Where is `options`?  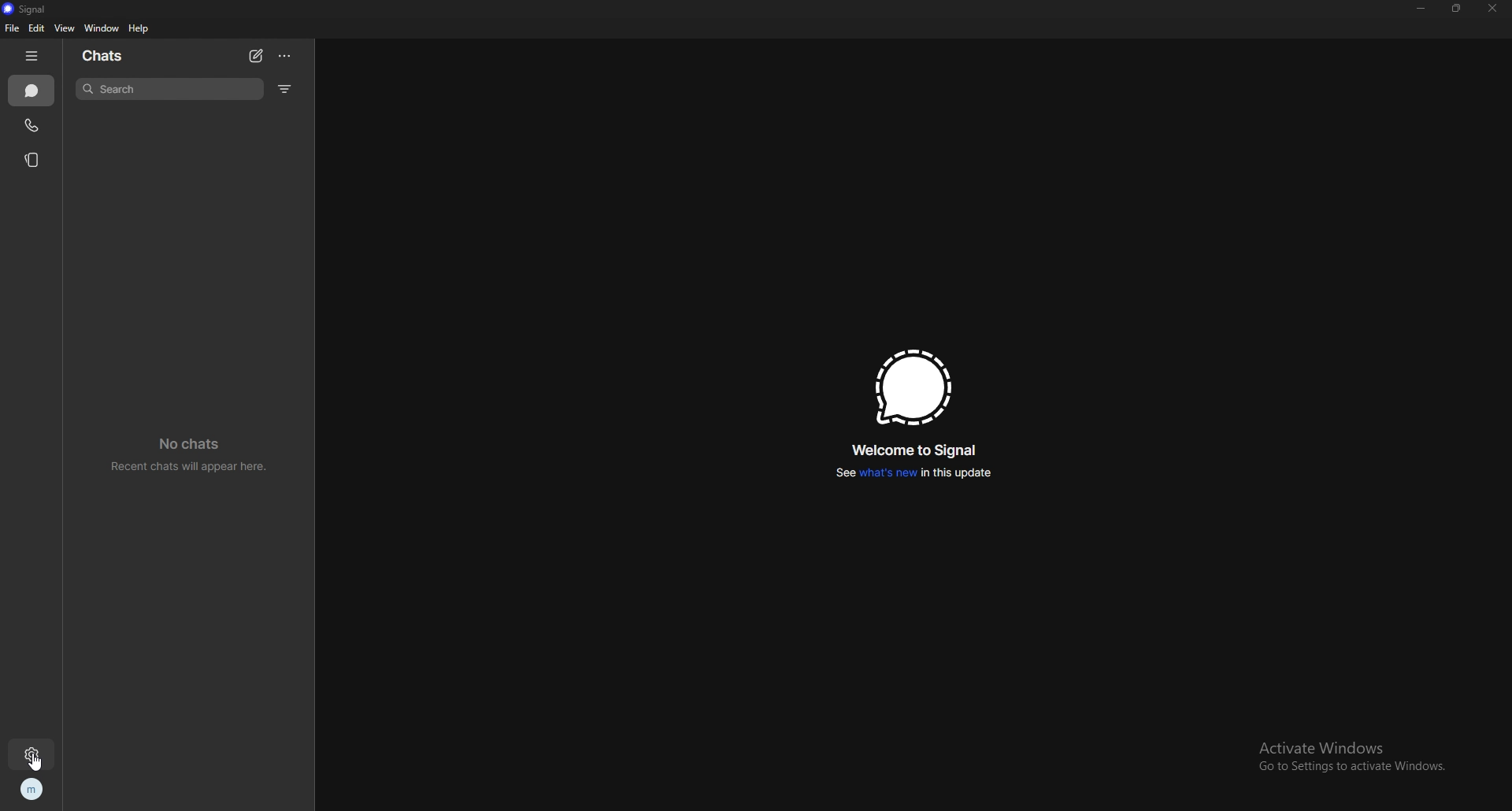 options is located at coordinates (287, 56).